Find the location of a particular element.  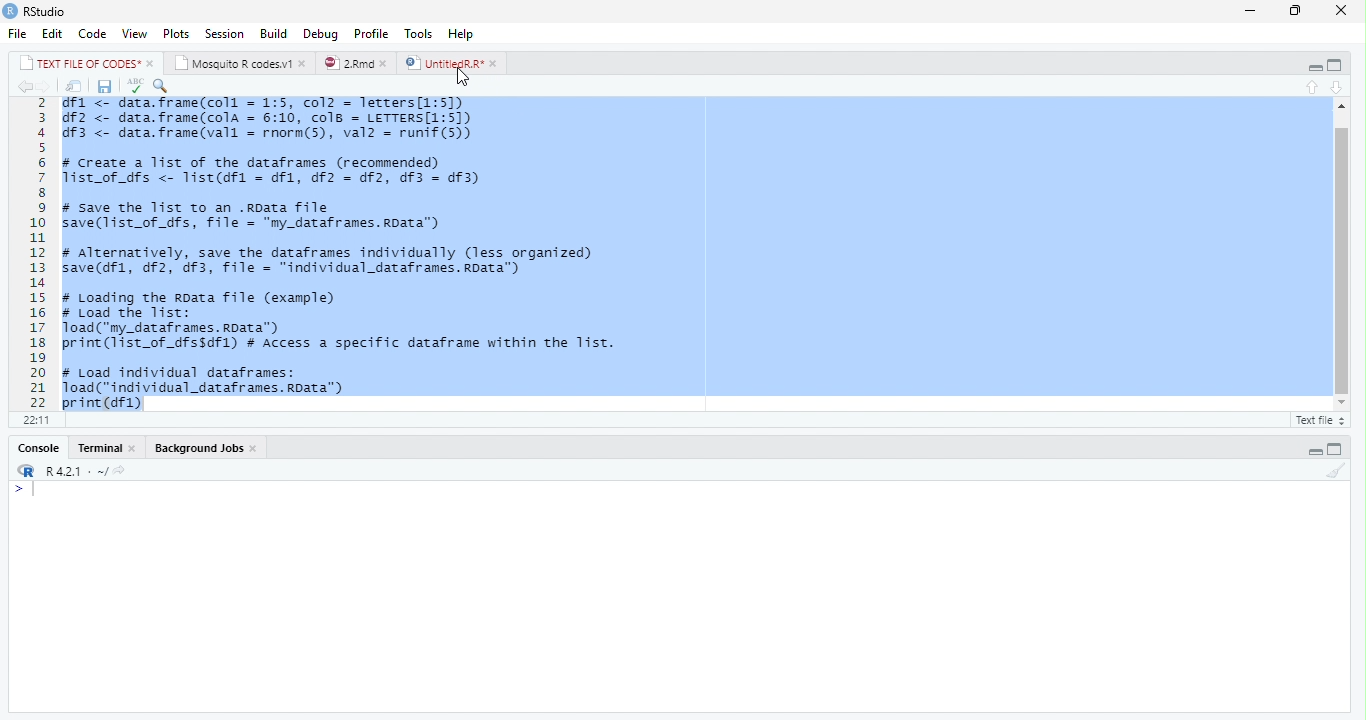

File is located at coordinates (19, 33).